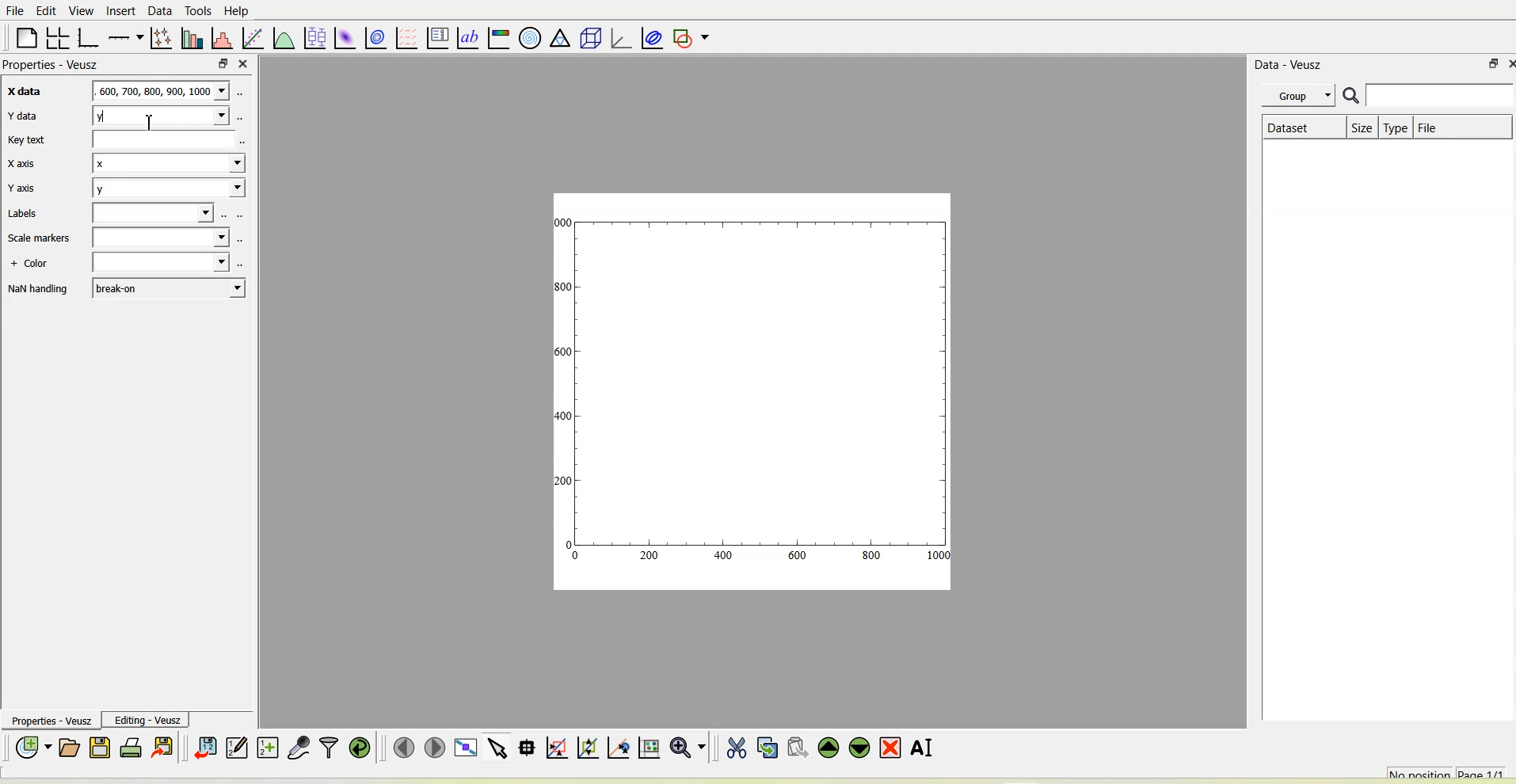  Describe the element at coordinates (284, 38) in the screenshot. I see `Plot a function` at that location.